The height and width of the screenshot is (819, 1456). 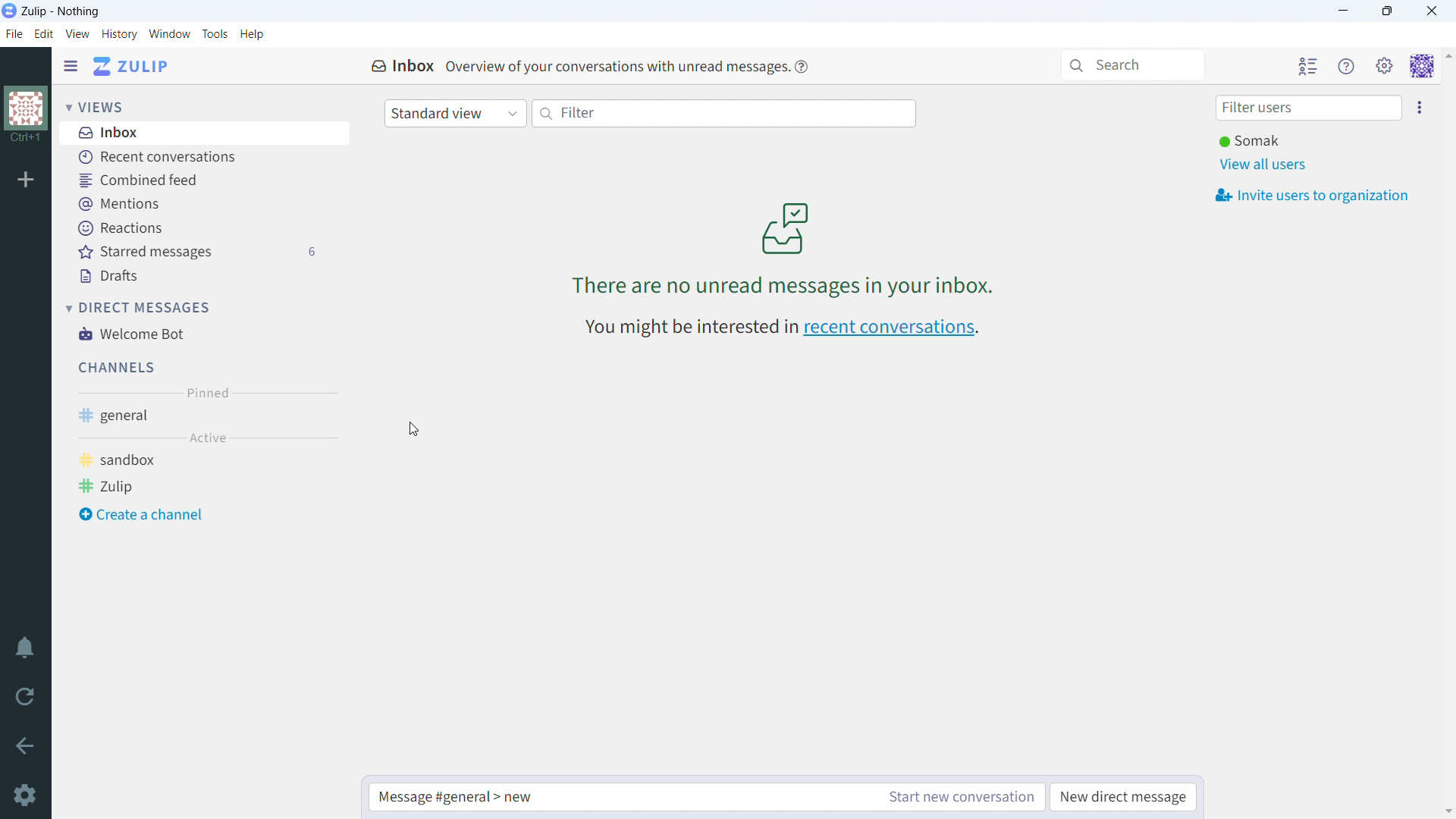 I want to click on minimize, so click(x=1344, y=11).